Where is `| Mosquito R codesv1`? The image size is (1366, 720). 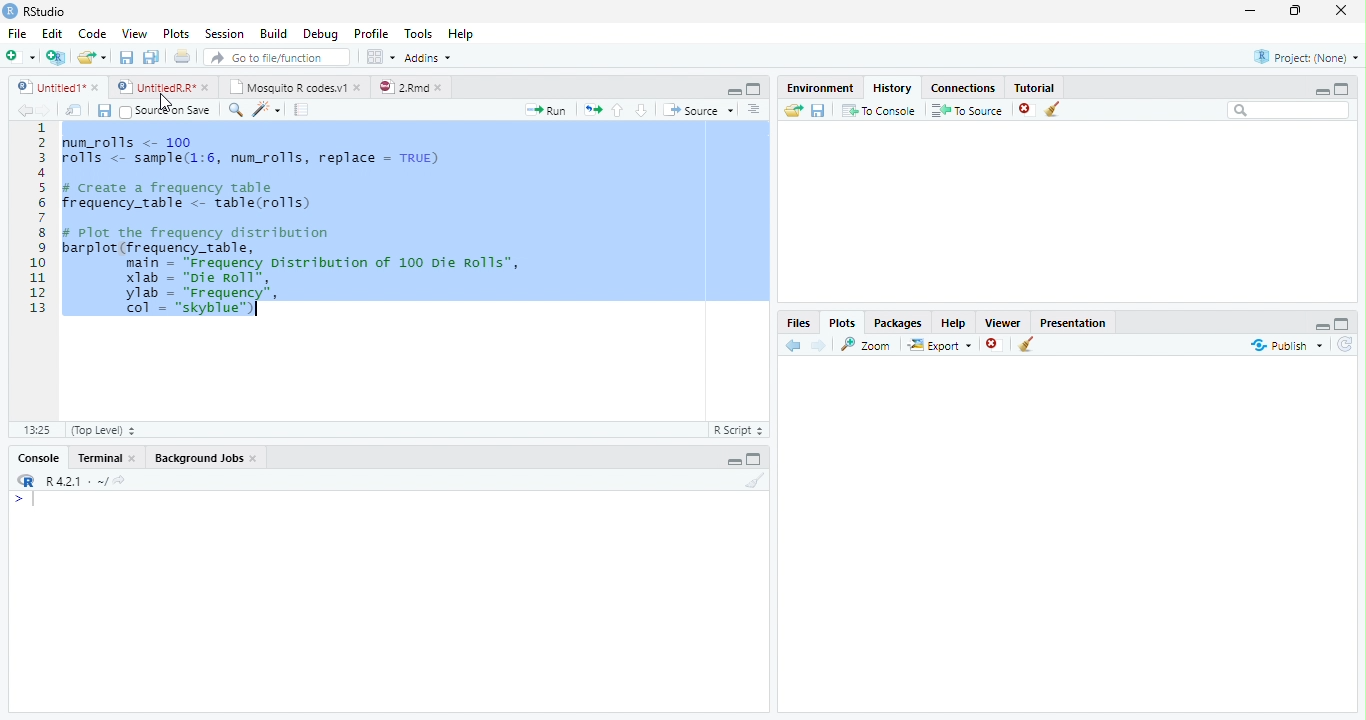 | Mosquito R codesv1 is located at coordinates (294, 87).